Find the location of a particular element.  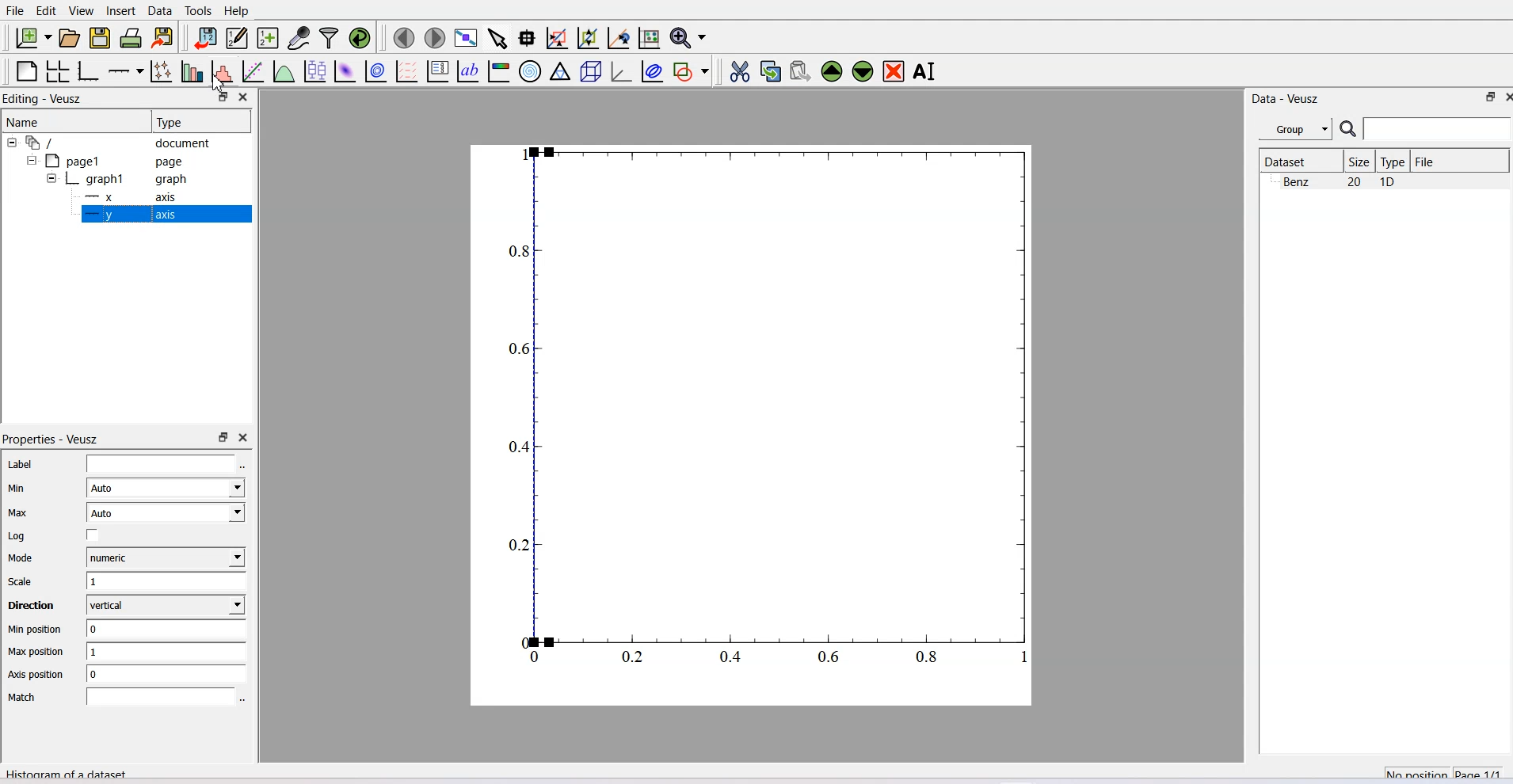

Open a document is located at coordinates (69, 37).